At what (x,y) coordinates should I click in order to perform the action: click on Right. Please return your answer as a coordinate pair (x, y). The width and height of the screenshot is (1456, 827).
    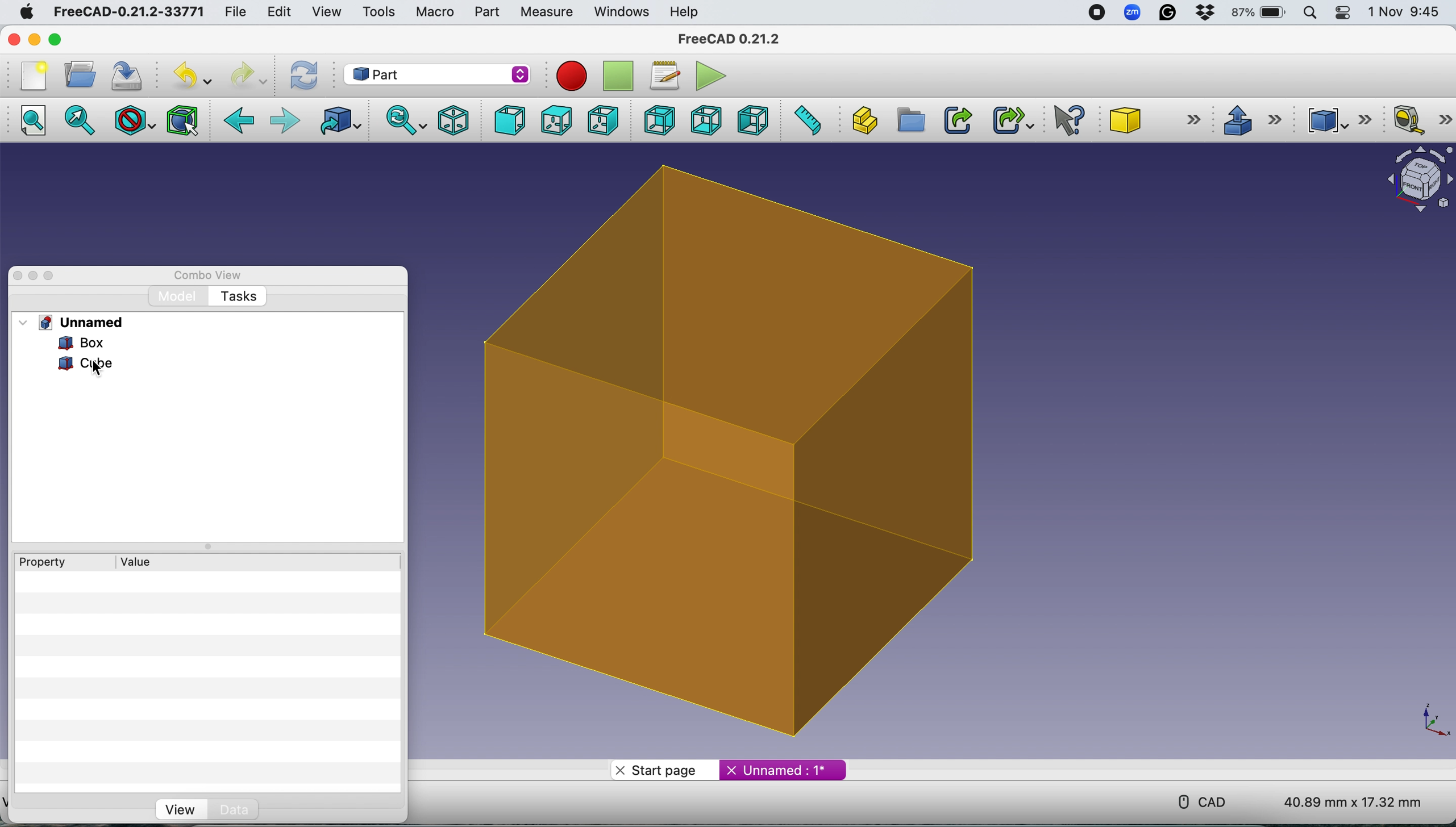
    Looking at the image, I should click on (603, 122).